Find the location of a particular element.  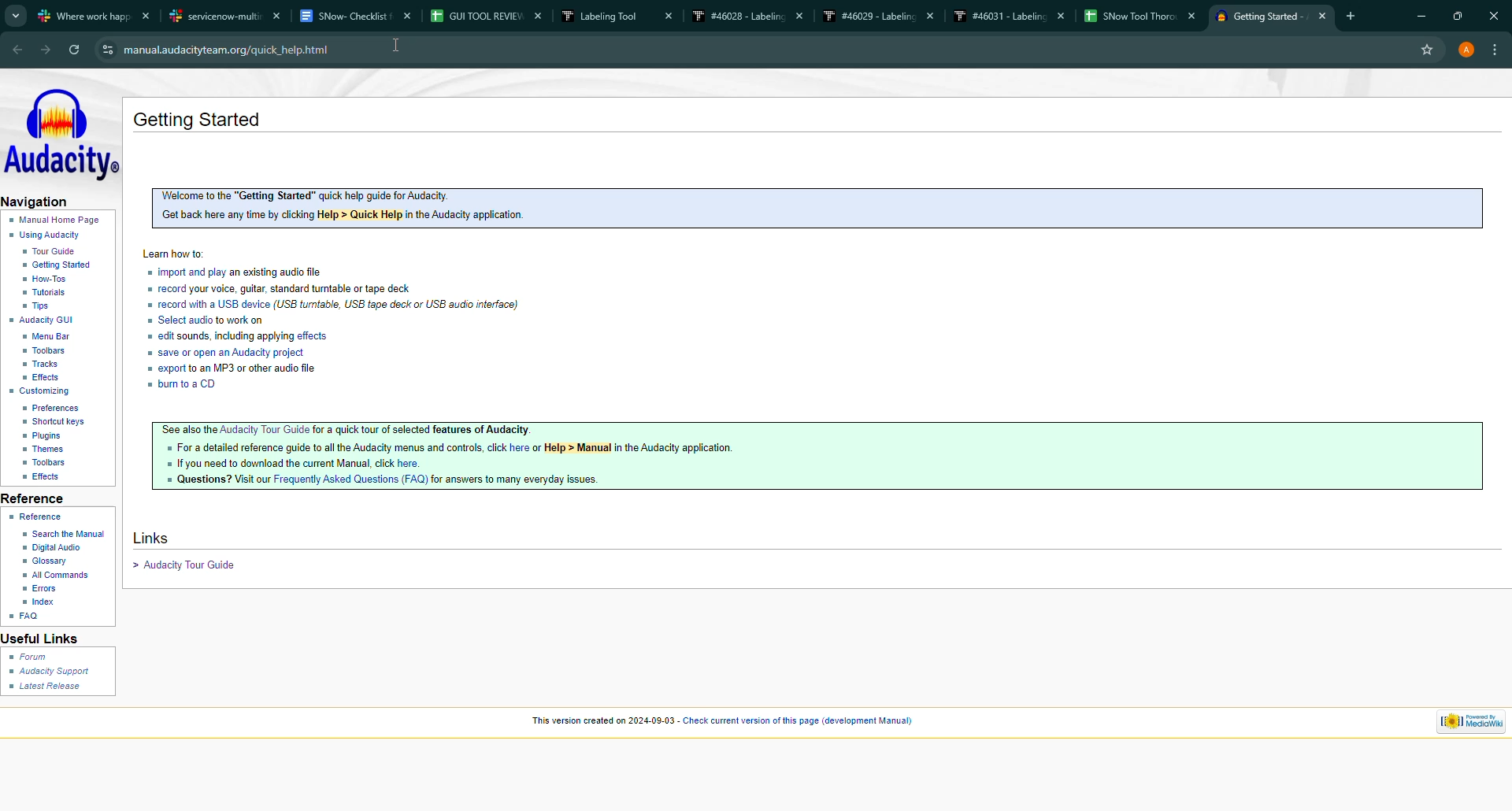

audacity support is located at coordinates (54, 672).